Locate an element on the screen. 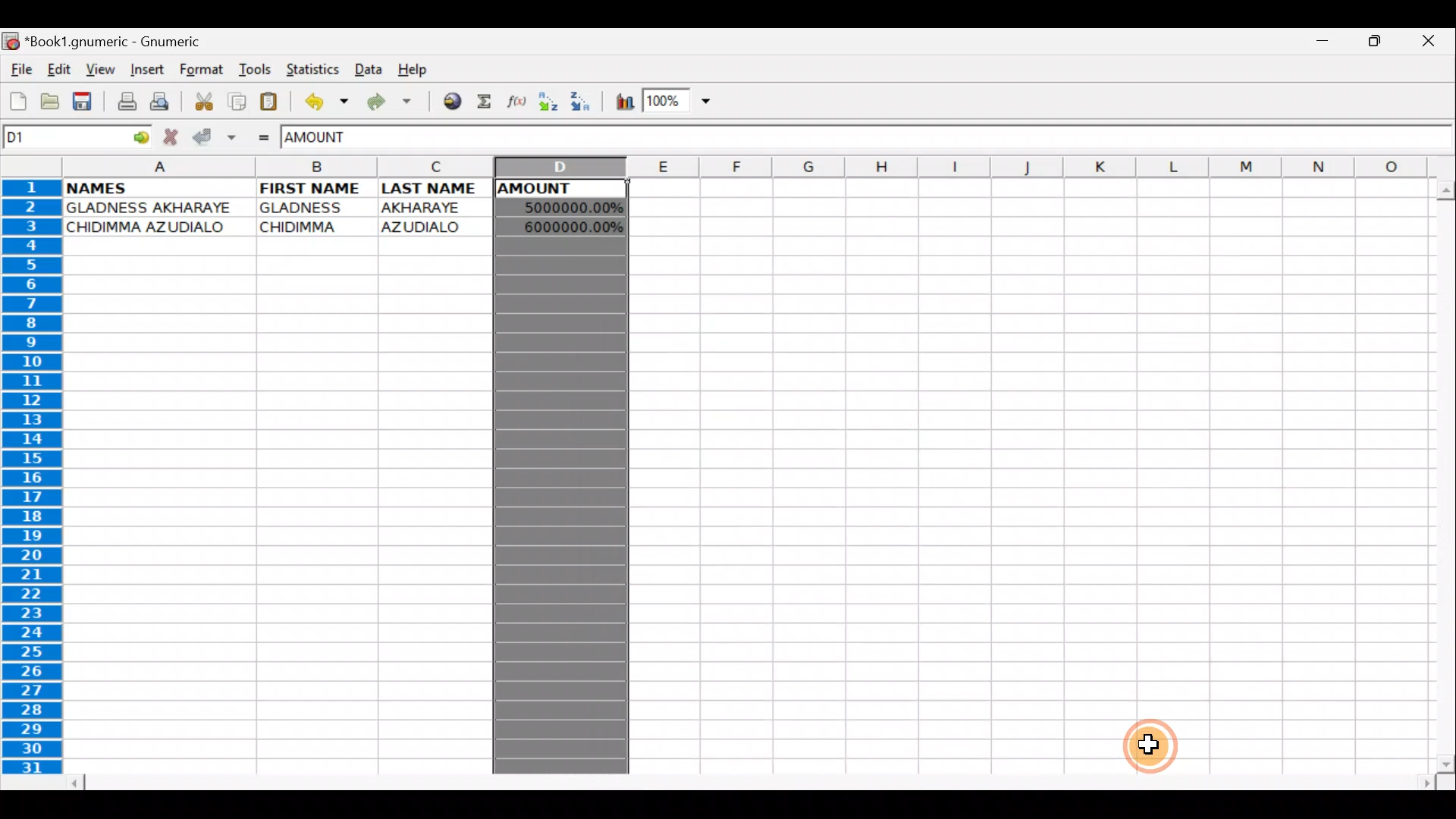  *Book 1.gnumeric - Gnumeric is located at coordinates (124, 43).